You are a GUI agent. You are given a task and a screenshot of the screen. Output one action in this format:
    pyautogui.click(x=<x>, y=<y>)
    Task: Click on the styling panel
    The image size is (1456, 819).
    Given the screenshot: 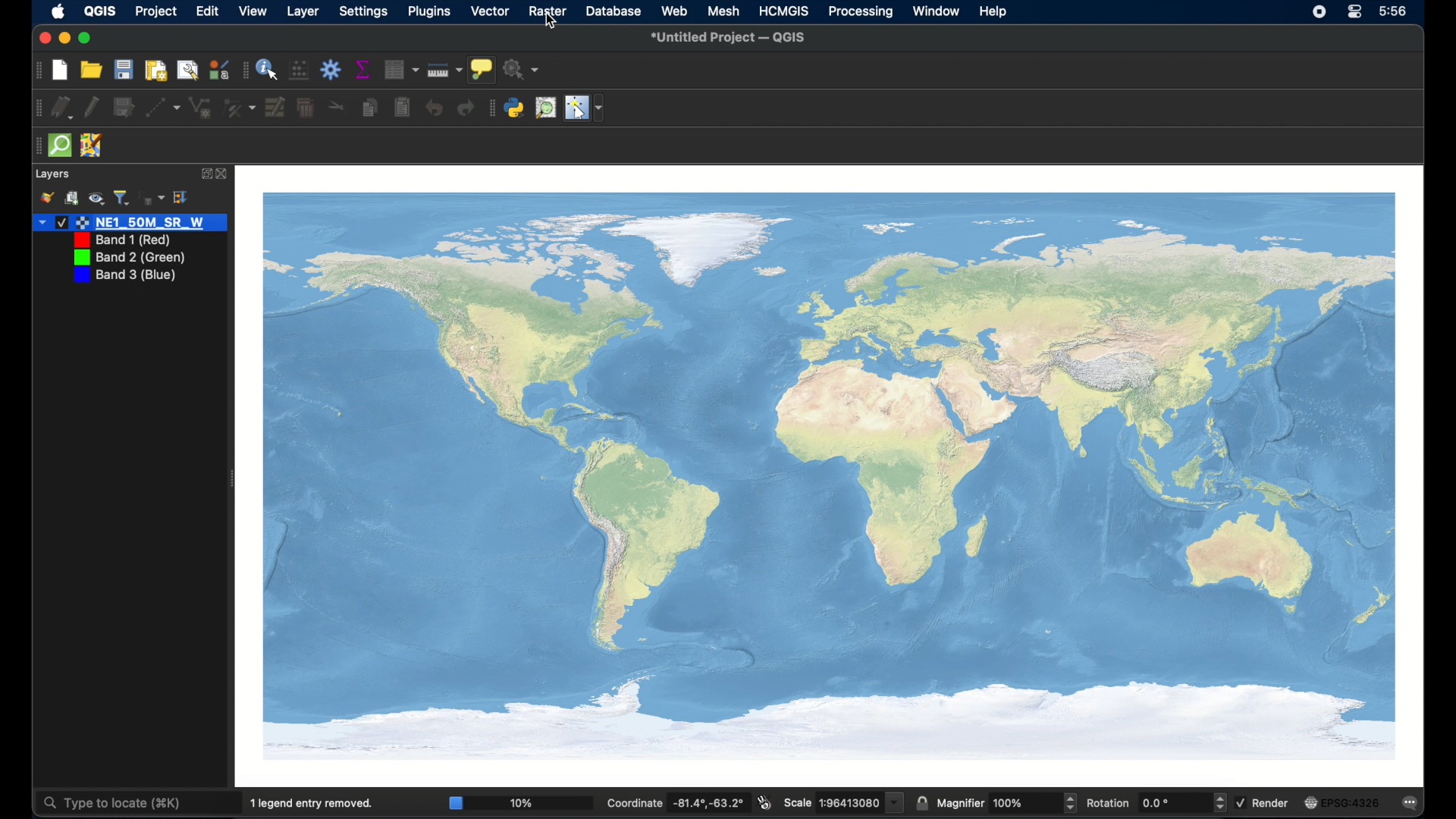 What is the action you would take?
    pyautogui.click(x=46, y=199)
    